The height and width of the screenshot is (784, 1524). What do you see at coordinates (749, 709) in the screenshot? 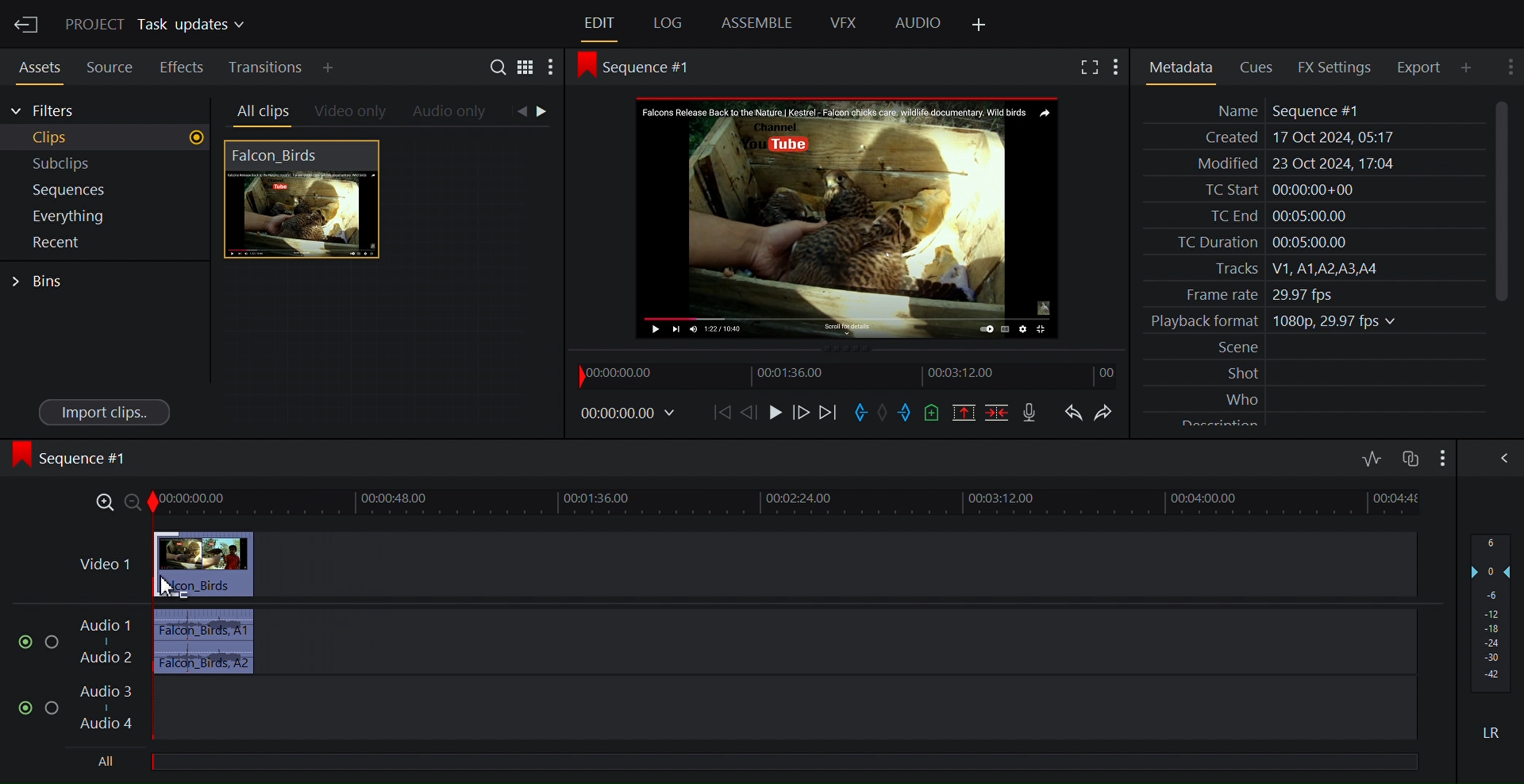
I see `Audio track 3, Audio track 4` at bounding box center [749, 709].